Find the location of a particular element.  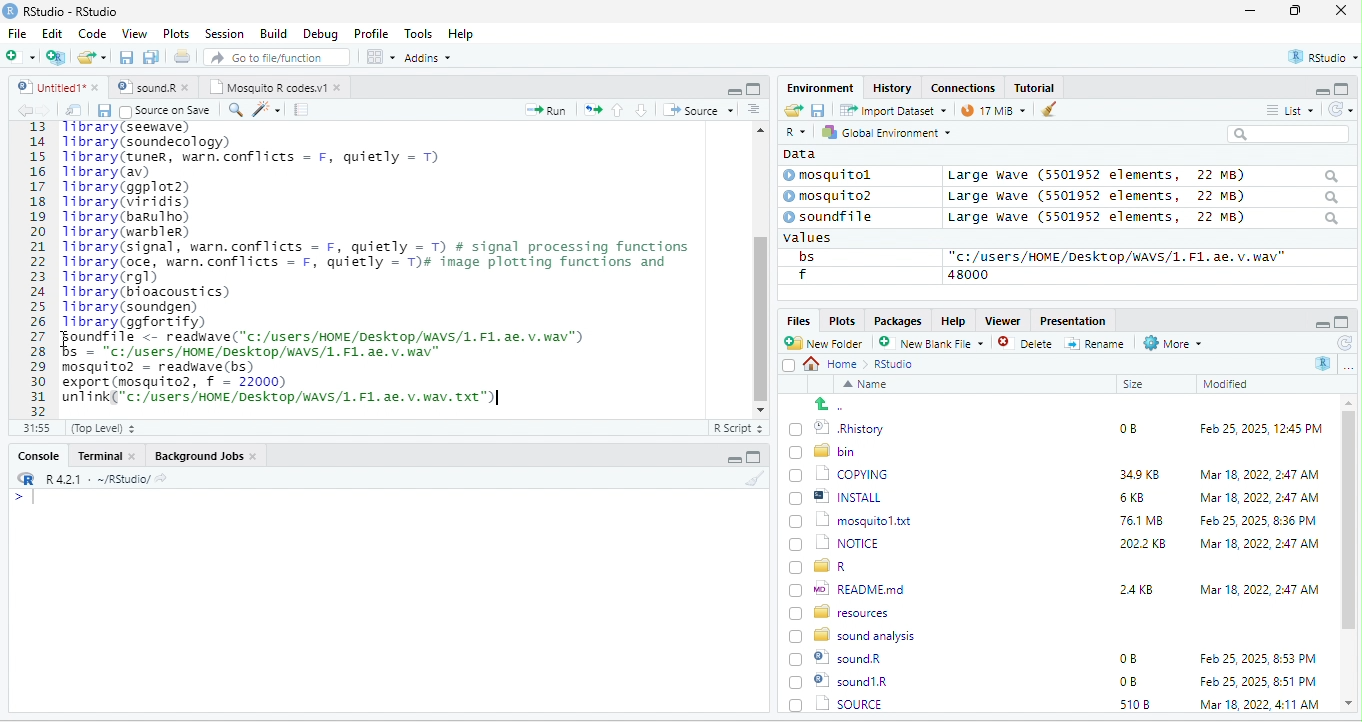

Tools is located at coordinates (419, 33).